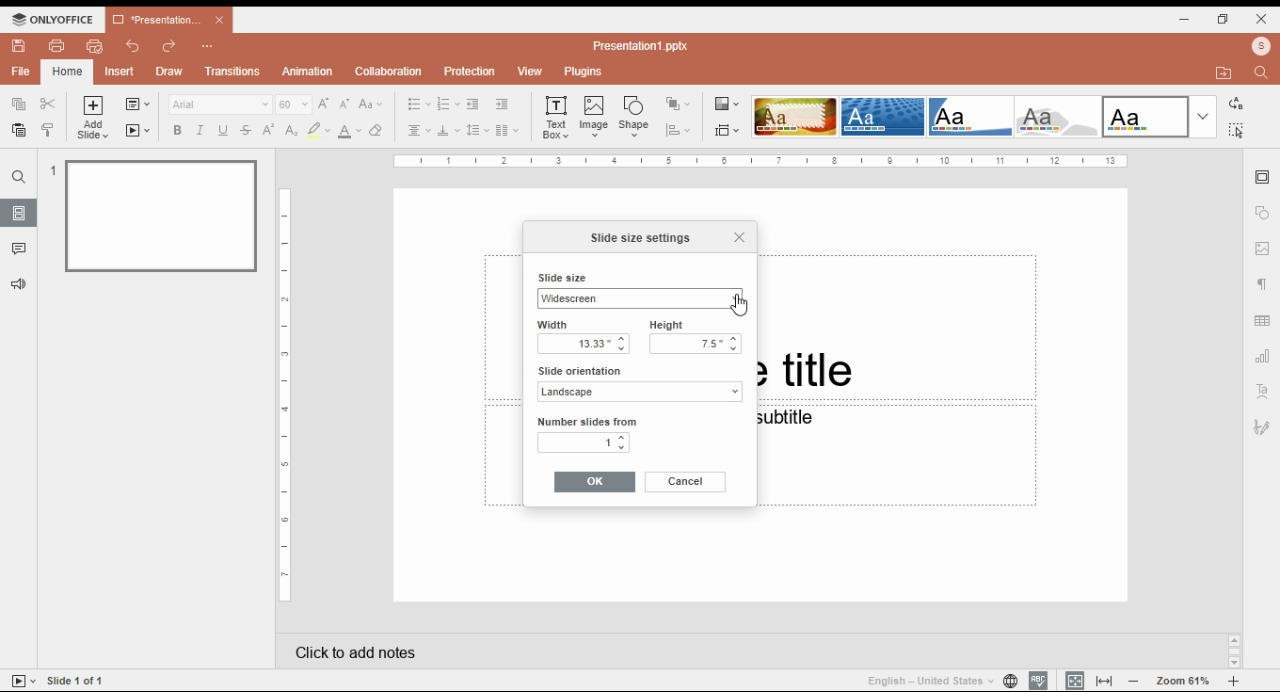 This screenshot has width=1280, height=692. Describe the element at coordinates (345, 103) in the screenshot. I see `decrement font size` at that location.